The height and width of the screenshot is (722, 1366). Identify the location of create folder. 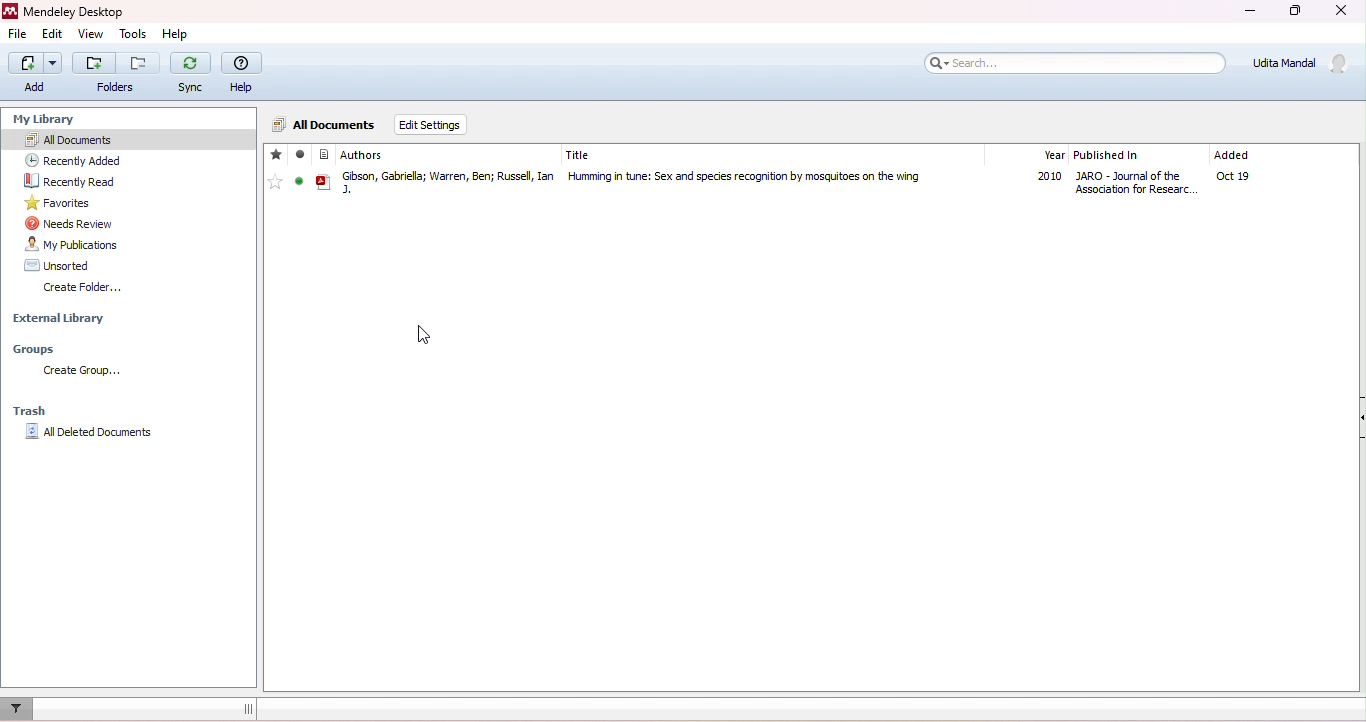
(81, 289).